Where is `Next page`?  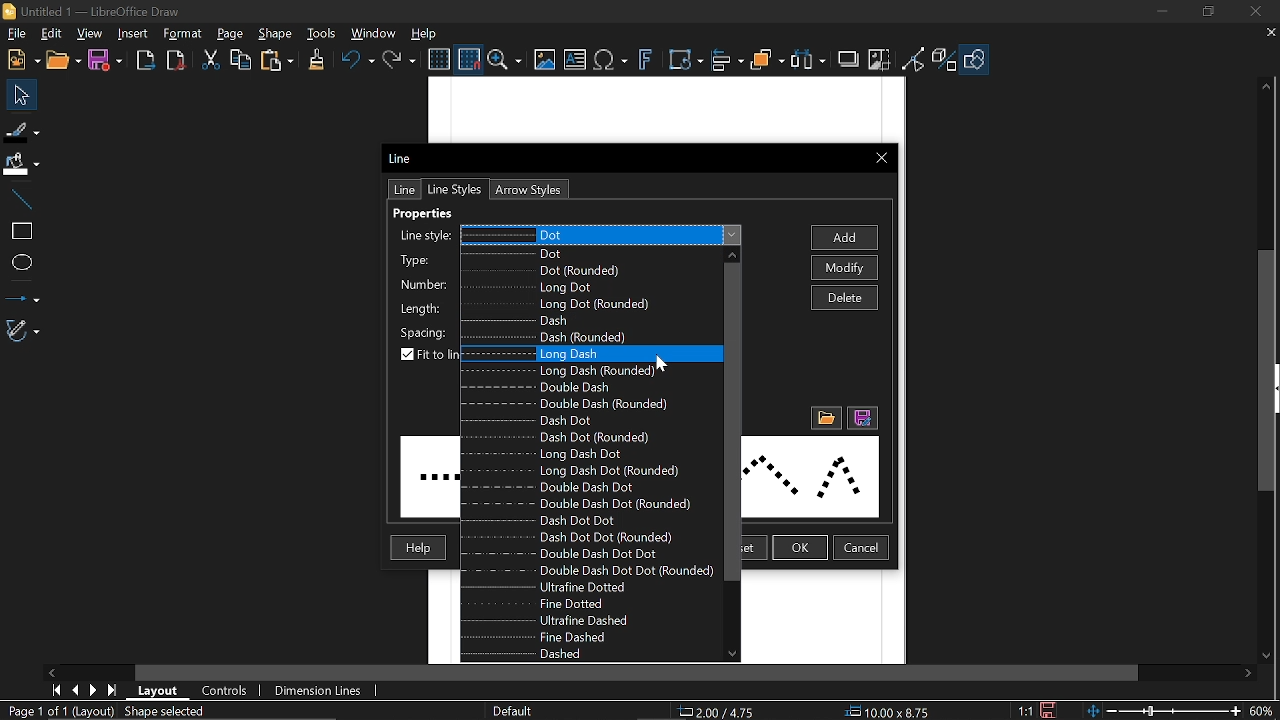
Next page is located at coordinates (97, 689).